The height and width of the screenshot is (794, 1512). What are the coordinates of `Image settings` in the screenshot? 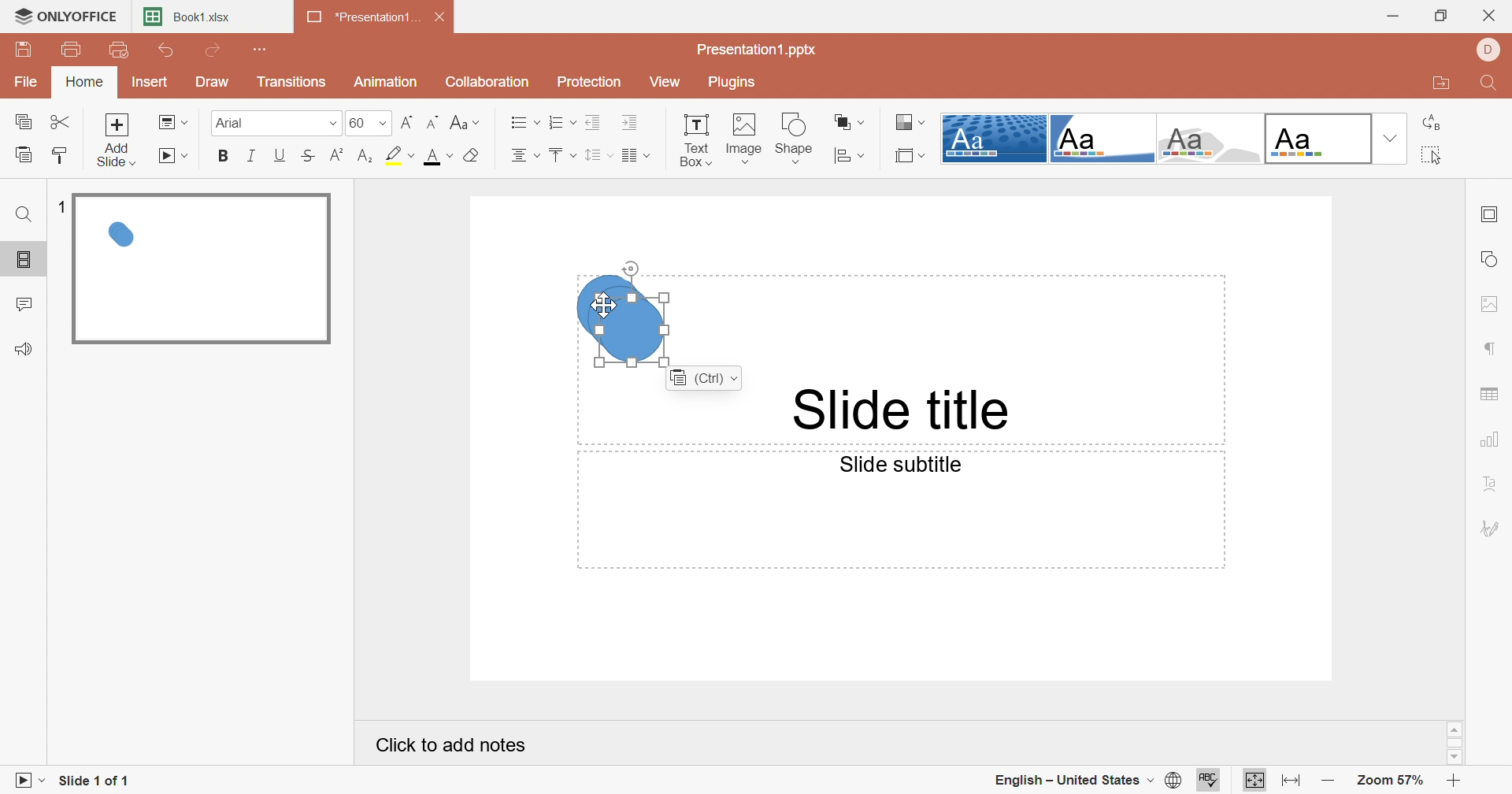 It's located at (1492, 304).